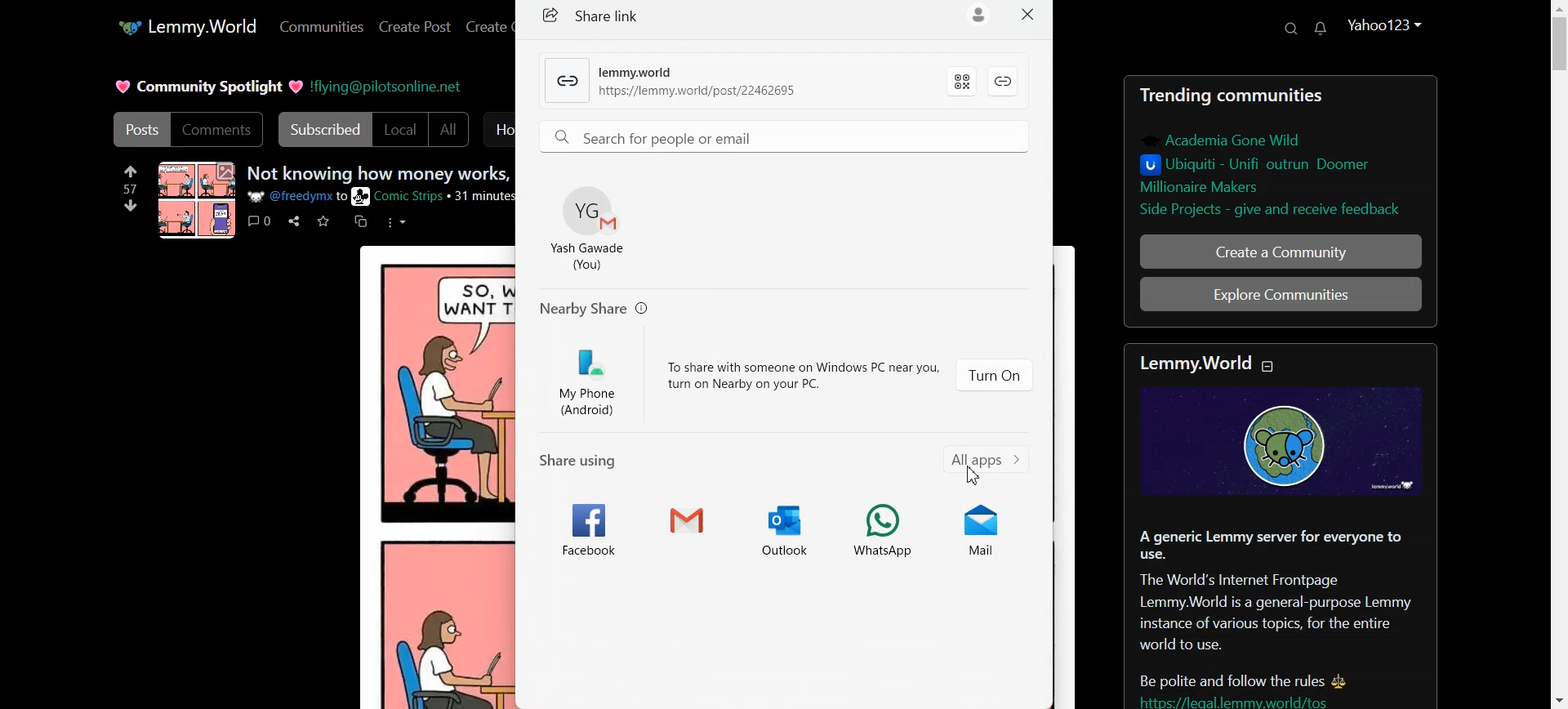 Image resolution: width=1568 pixels, height=709 pixels. What do you see at coordinates (595, 309) in the screenshot?
I see `Text` at bounding box center [595, 309].